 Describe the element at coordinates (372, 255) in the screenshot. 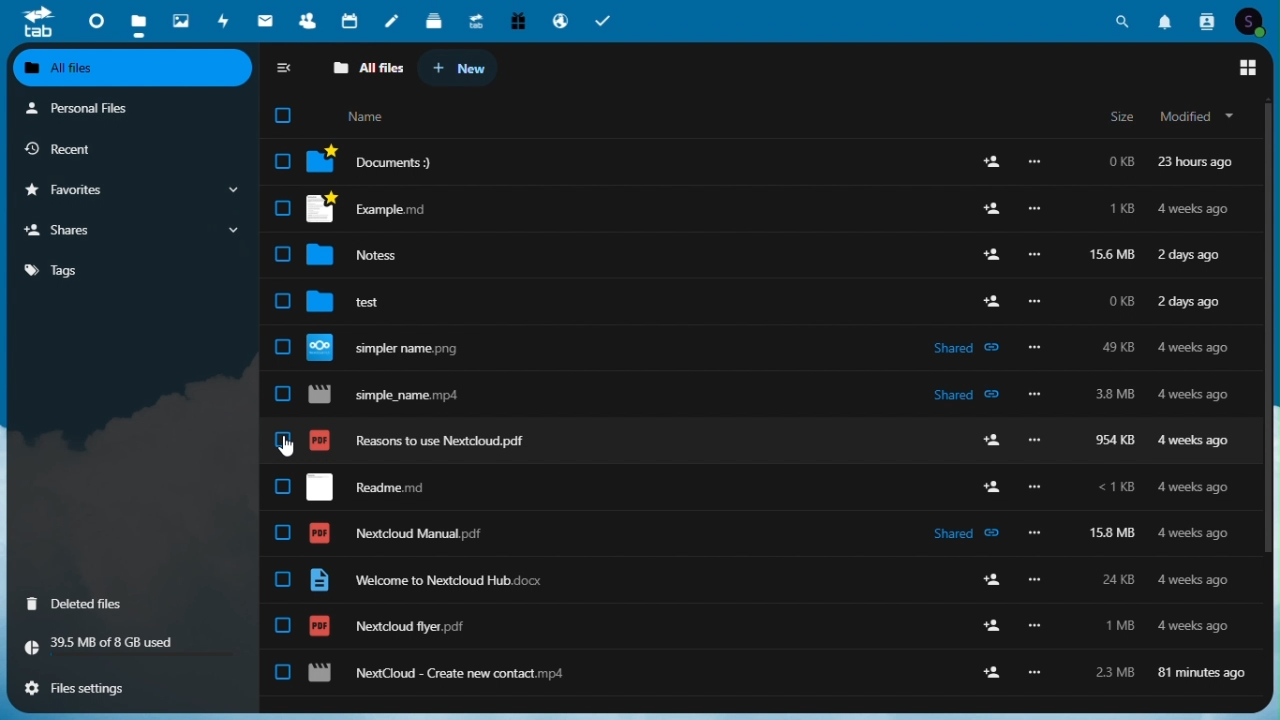

I see `notes` at that location.